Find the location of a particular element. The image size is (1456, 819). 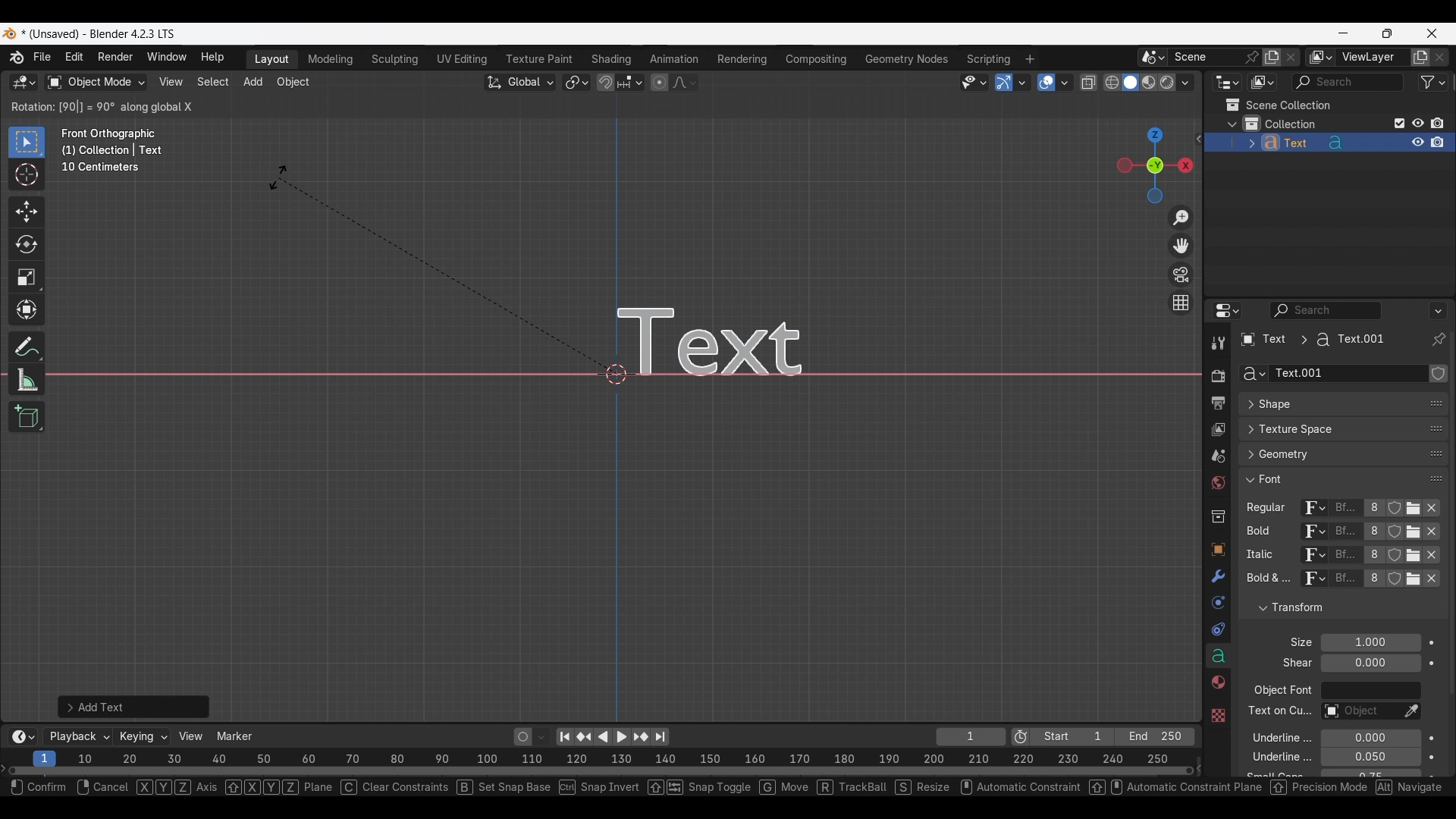

text is located at coordinates (1293, 664).